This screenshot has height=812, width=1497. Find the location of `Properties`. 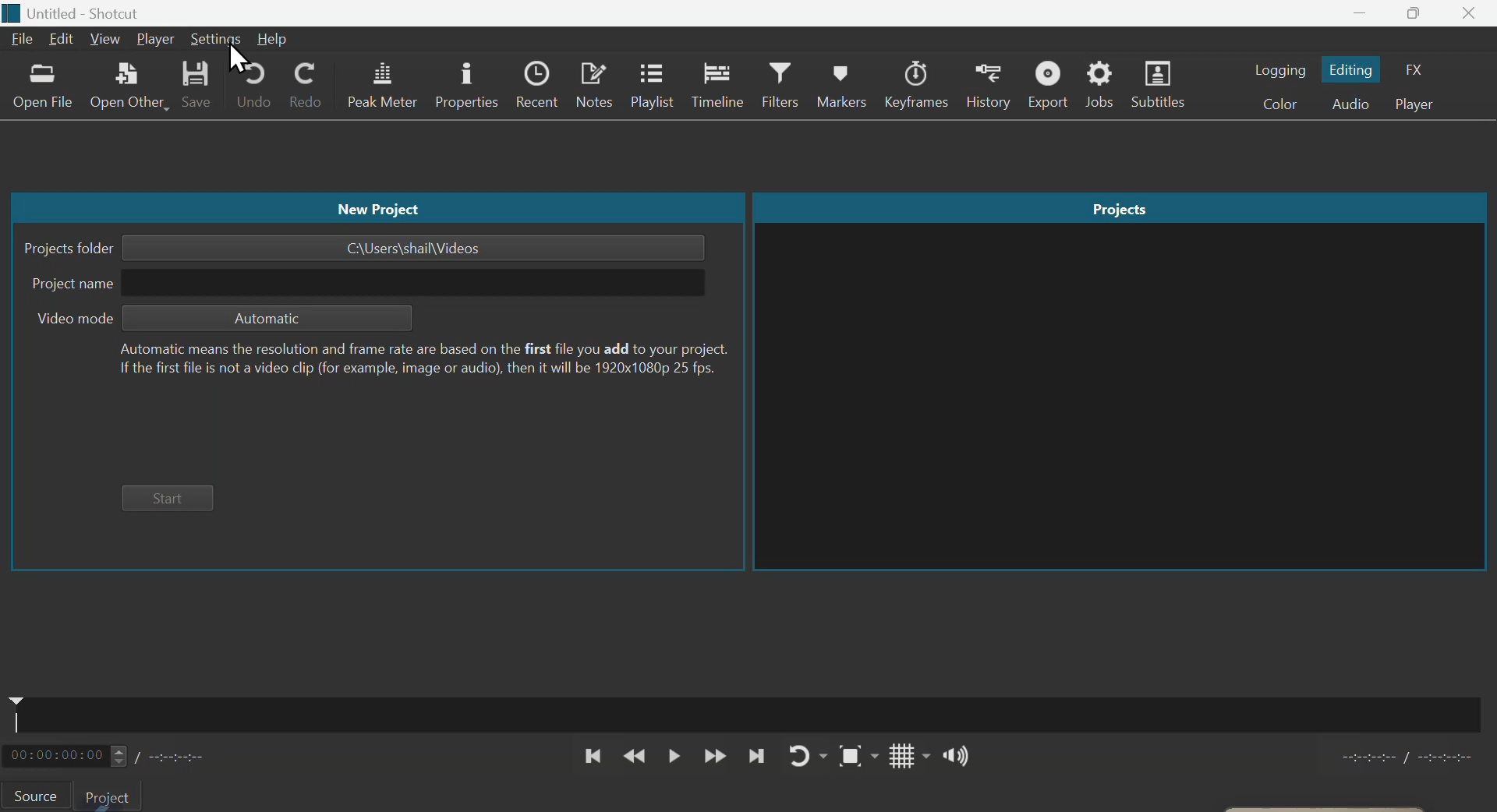

Properties is located at coordinates (464, 85).